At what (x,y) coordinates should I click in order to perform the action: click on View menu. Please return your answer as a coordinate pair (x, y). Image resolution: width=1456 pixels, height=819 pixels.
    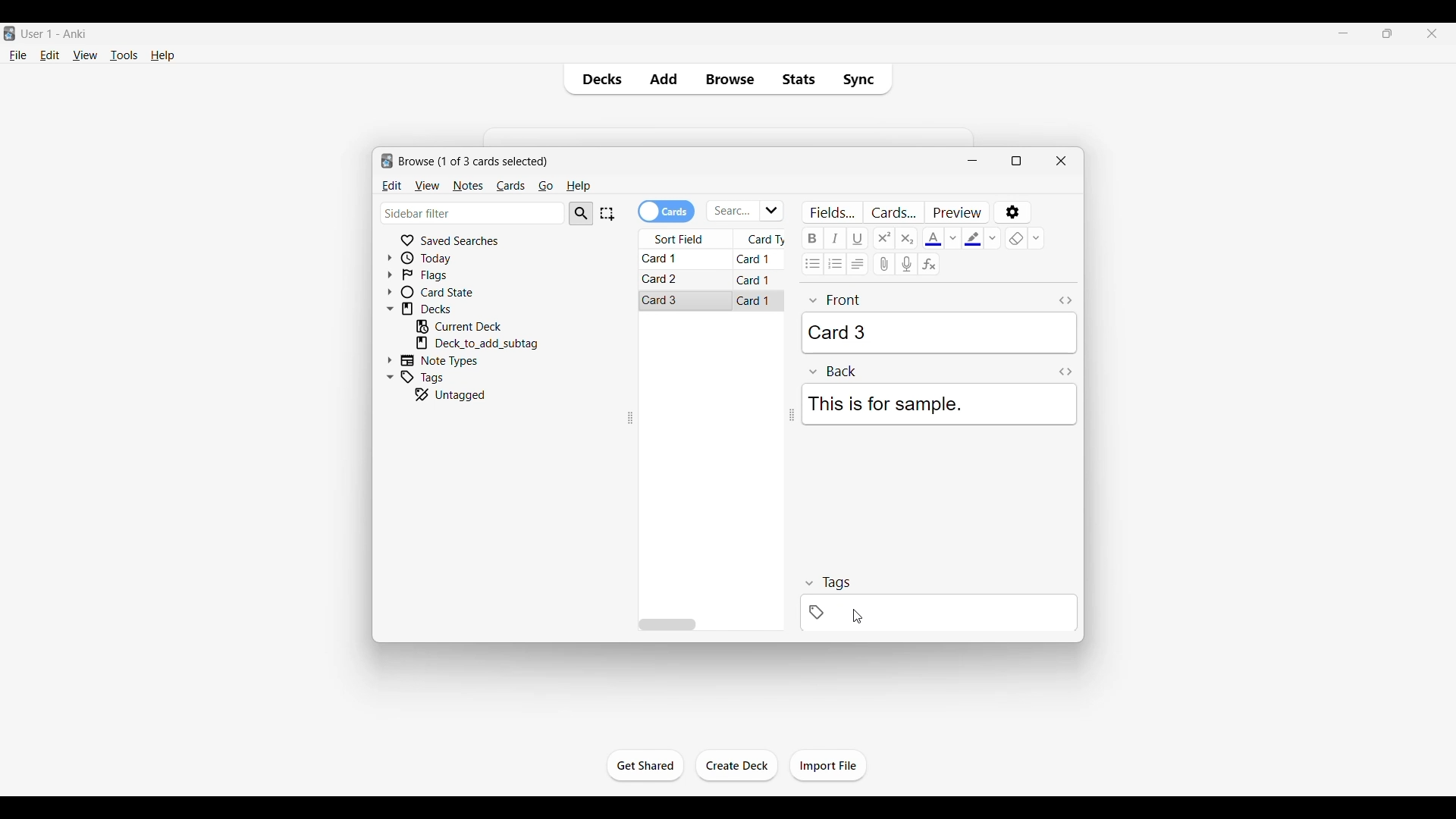
    Looking at the image, I should click on (427, 187).